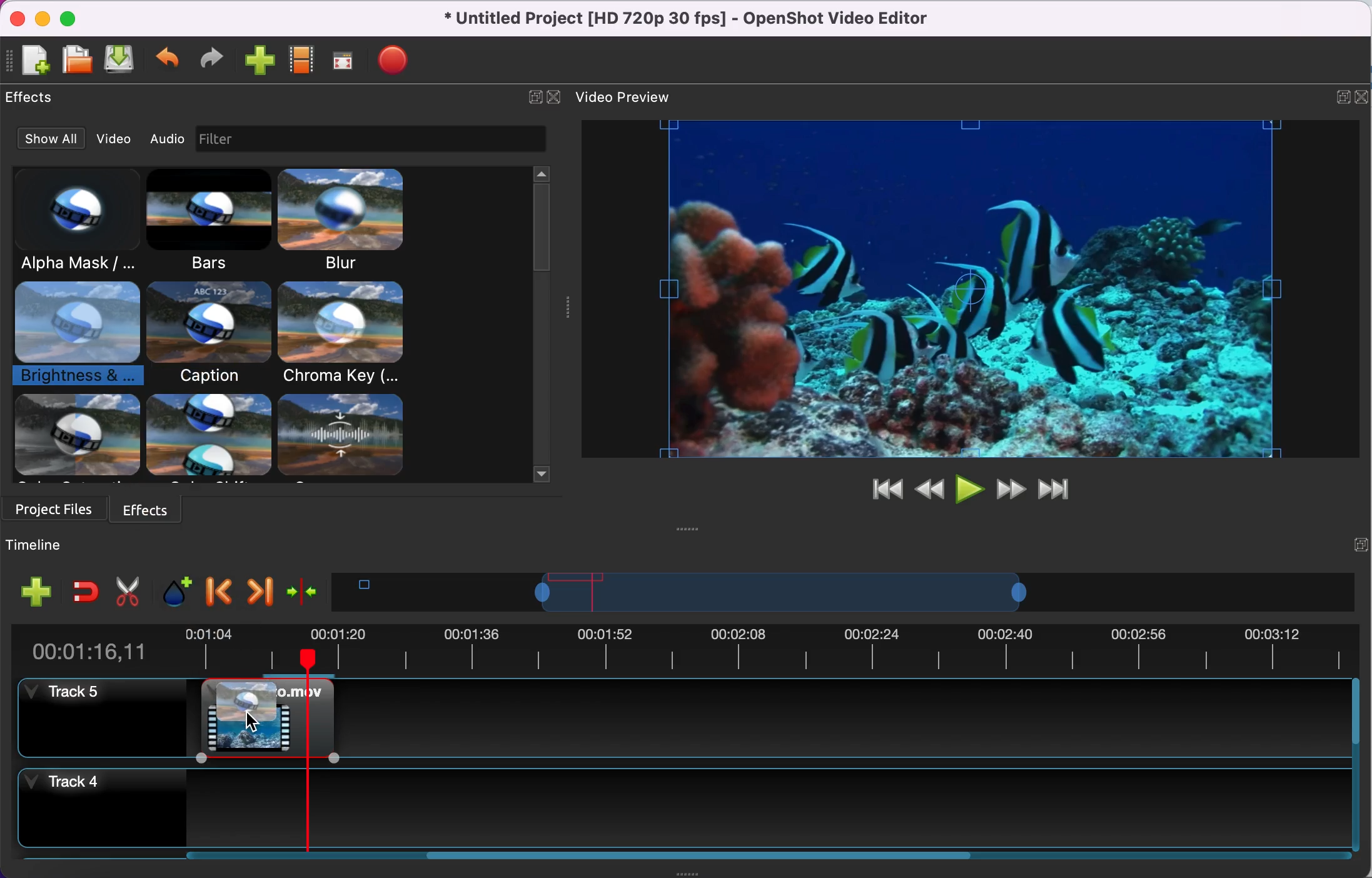  Describe the element at coordinates (628, 96) in the screenshot. I see `video preview` at that location.